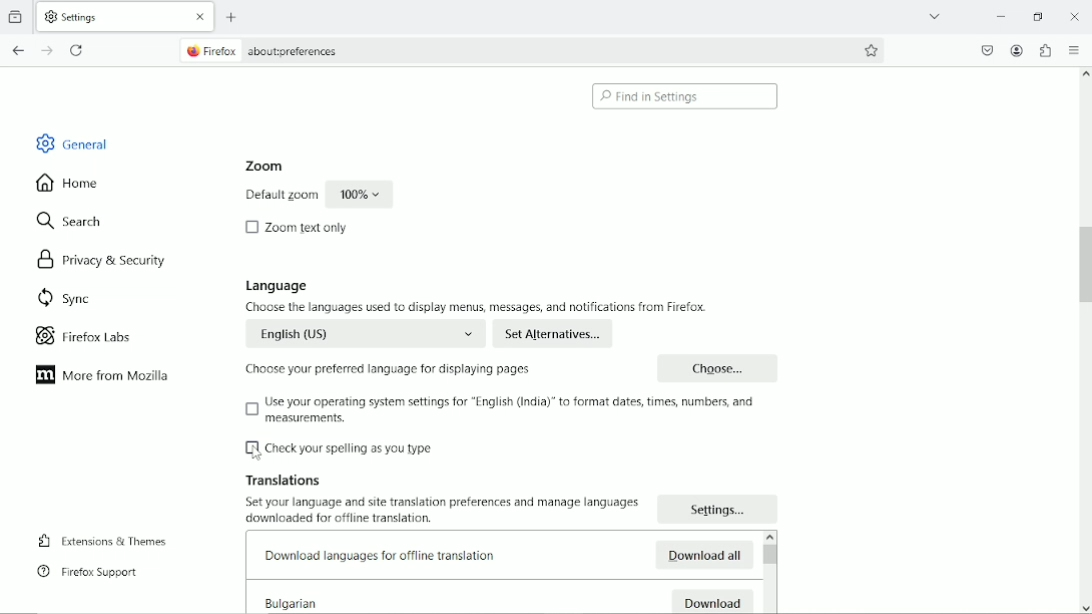 The width and height of the screenshot is (1092, 614). Describe the element at coordinates (363, 335) in the screenshot. I see `English (US)` at that location.